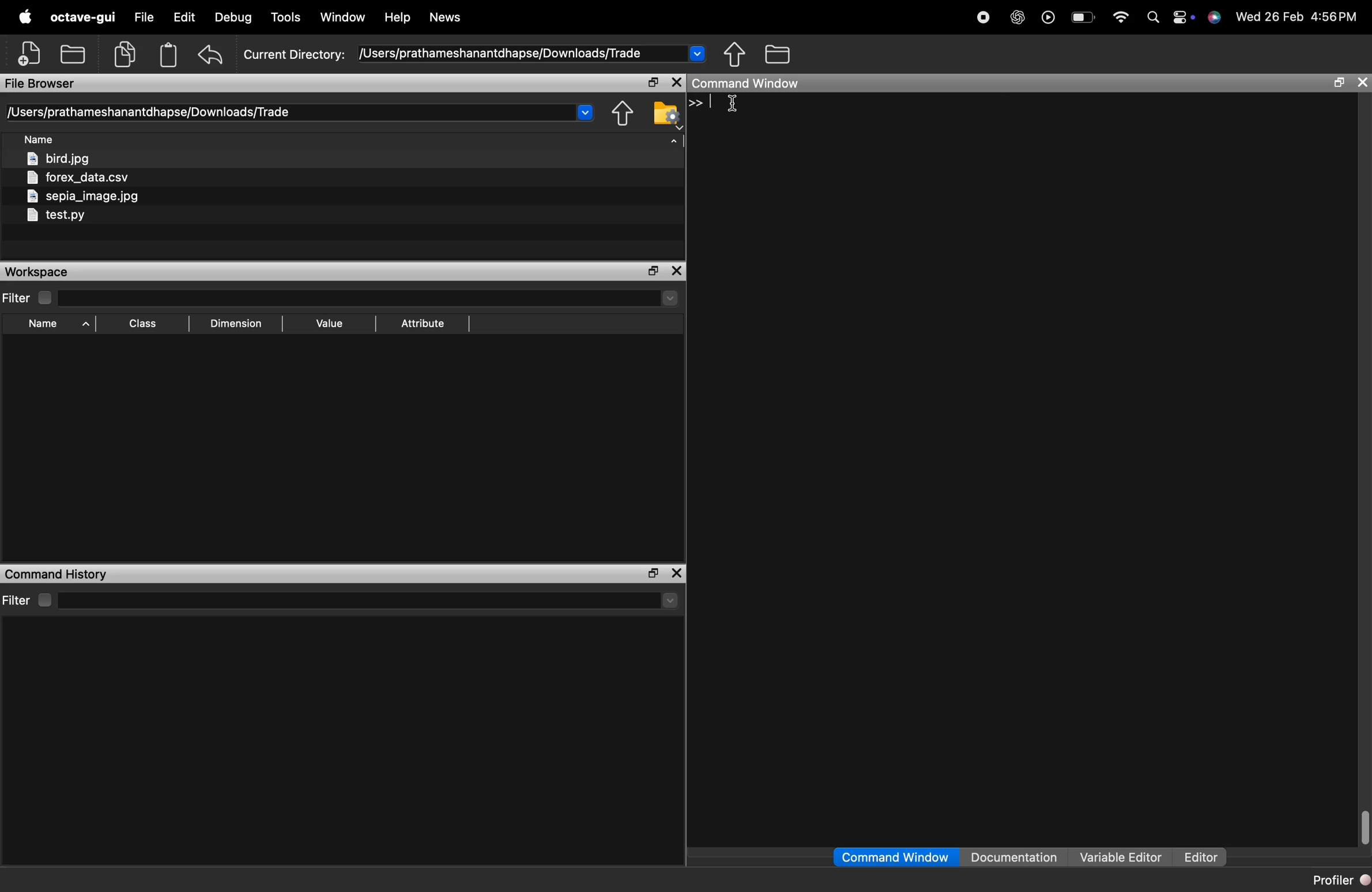 The image size is (1372, 892). Describe the element at coordinates (1297, 17) in the screenshot. I see `Wed 26 Feb 4:56PM` at that location.